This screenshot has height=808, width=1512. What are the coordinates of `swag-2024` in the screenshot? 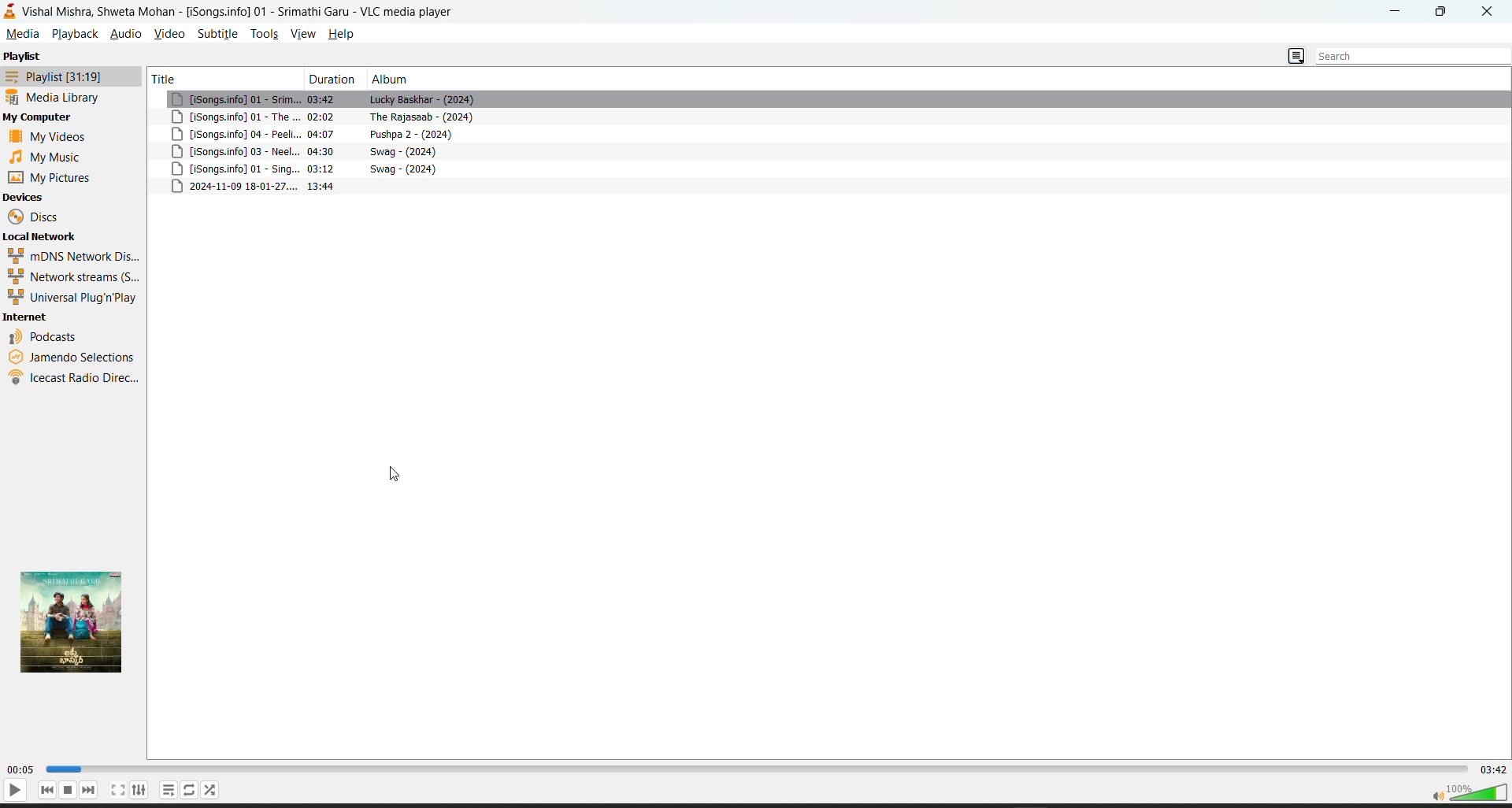 It's located at (418, 153).